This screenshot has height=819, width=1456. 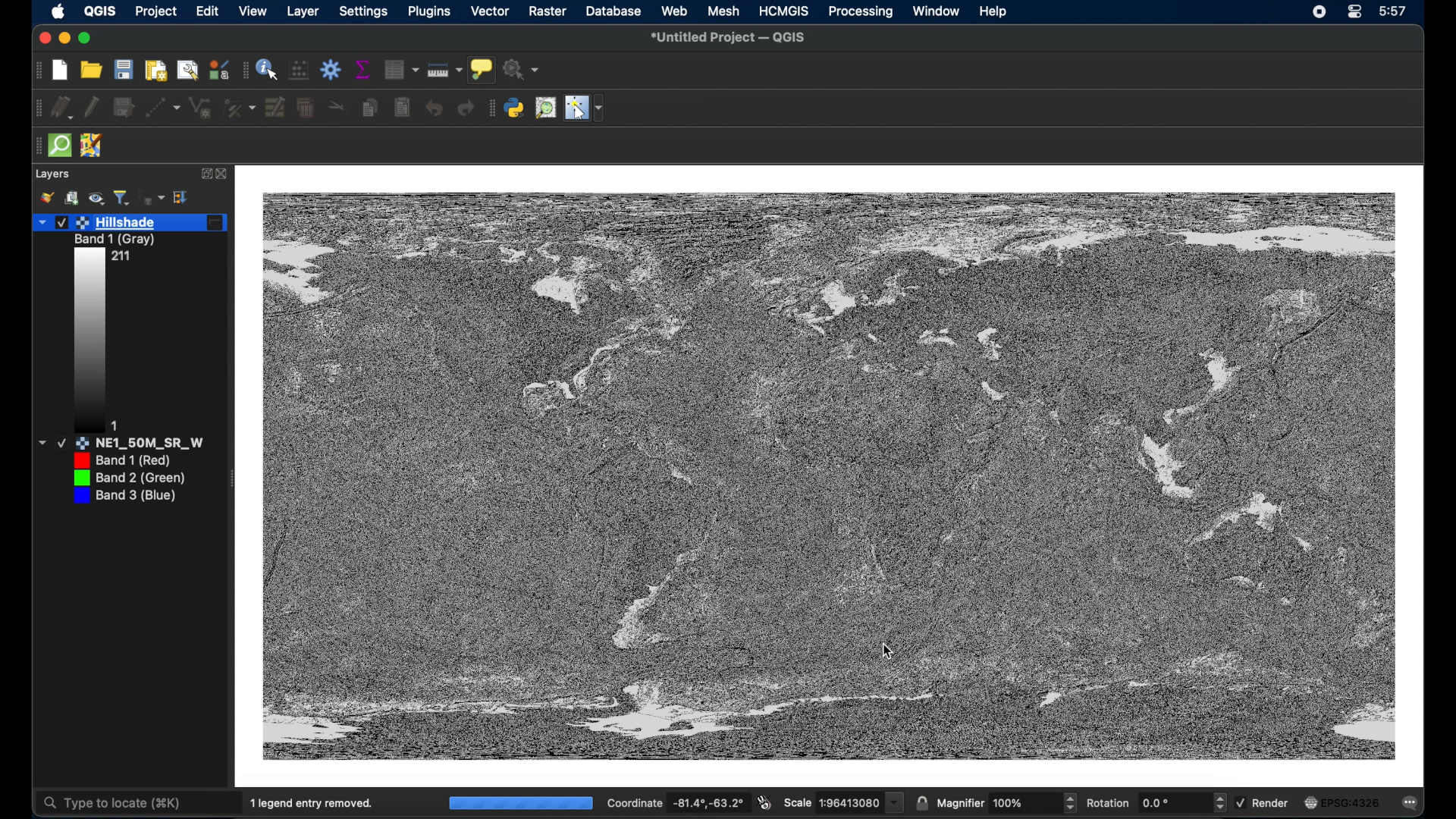 I want to click on layer, so click(x=303, y=11).